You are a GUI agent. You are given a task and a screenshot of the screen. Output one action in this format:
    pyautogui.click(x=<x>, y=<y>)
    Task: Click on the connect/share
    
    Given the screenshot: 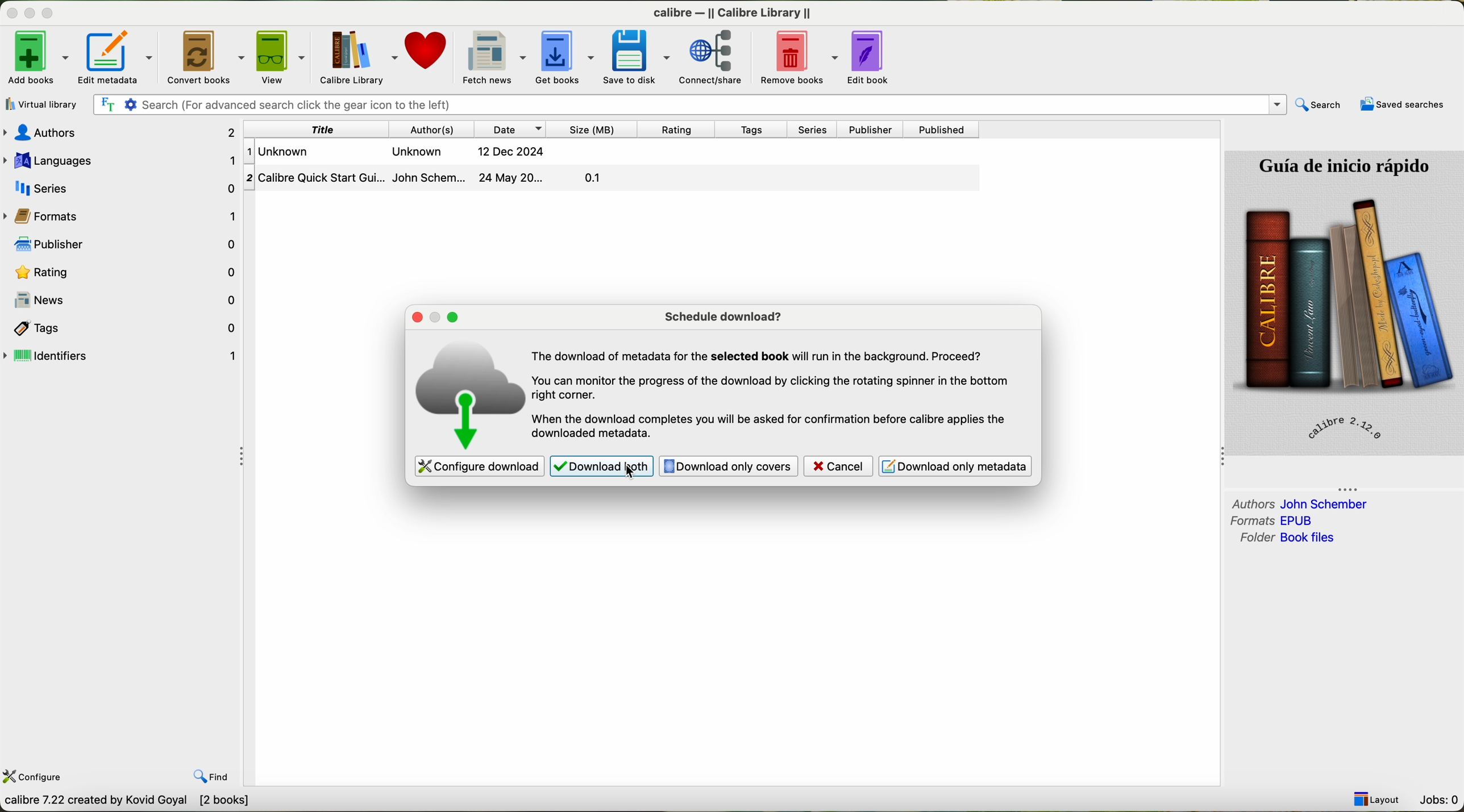 What is the action you would take?
    pyautogui.click(x=710, y=59)
    